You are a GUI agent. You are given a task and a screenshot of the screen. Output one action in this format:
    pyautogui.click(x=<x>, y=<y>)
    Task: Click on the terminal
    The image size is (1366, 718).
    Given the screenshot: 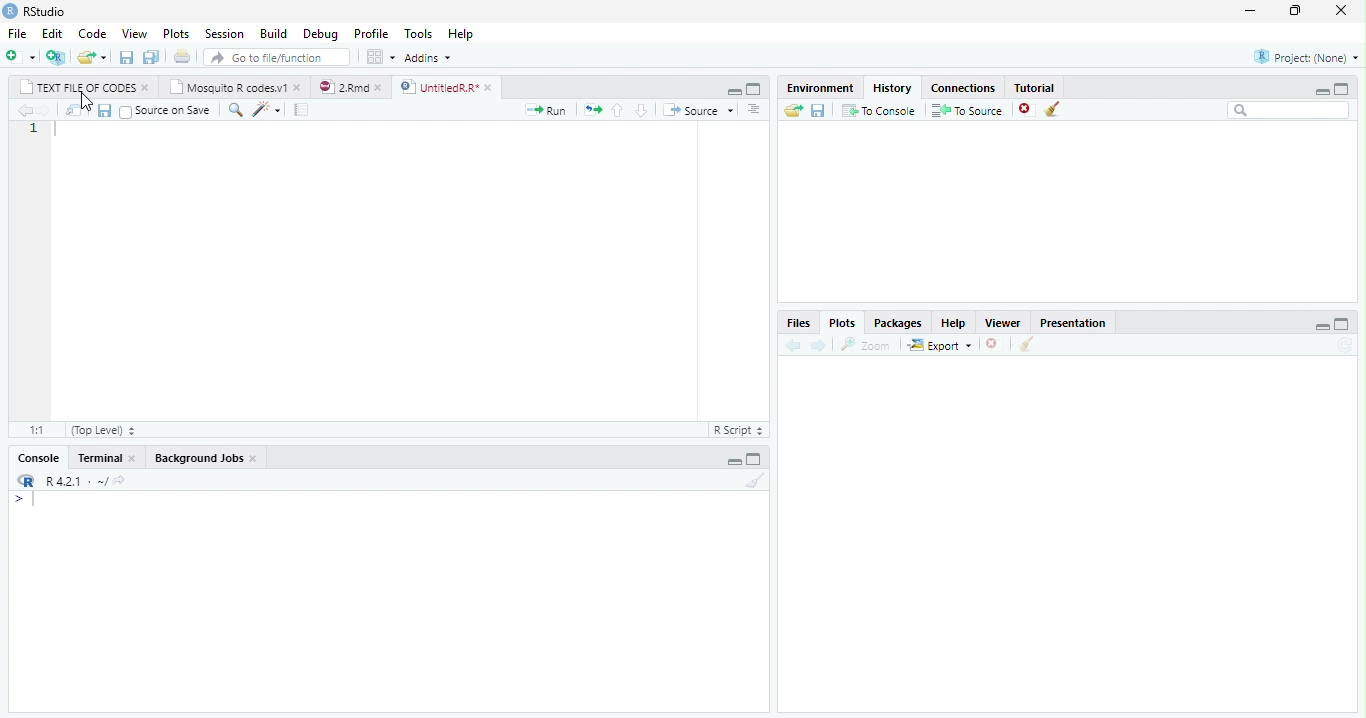 What is the action you would take?
    pyautogui.click(x=98, y=458)
    